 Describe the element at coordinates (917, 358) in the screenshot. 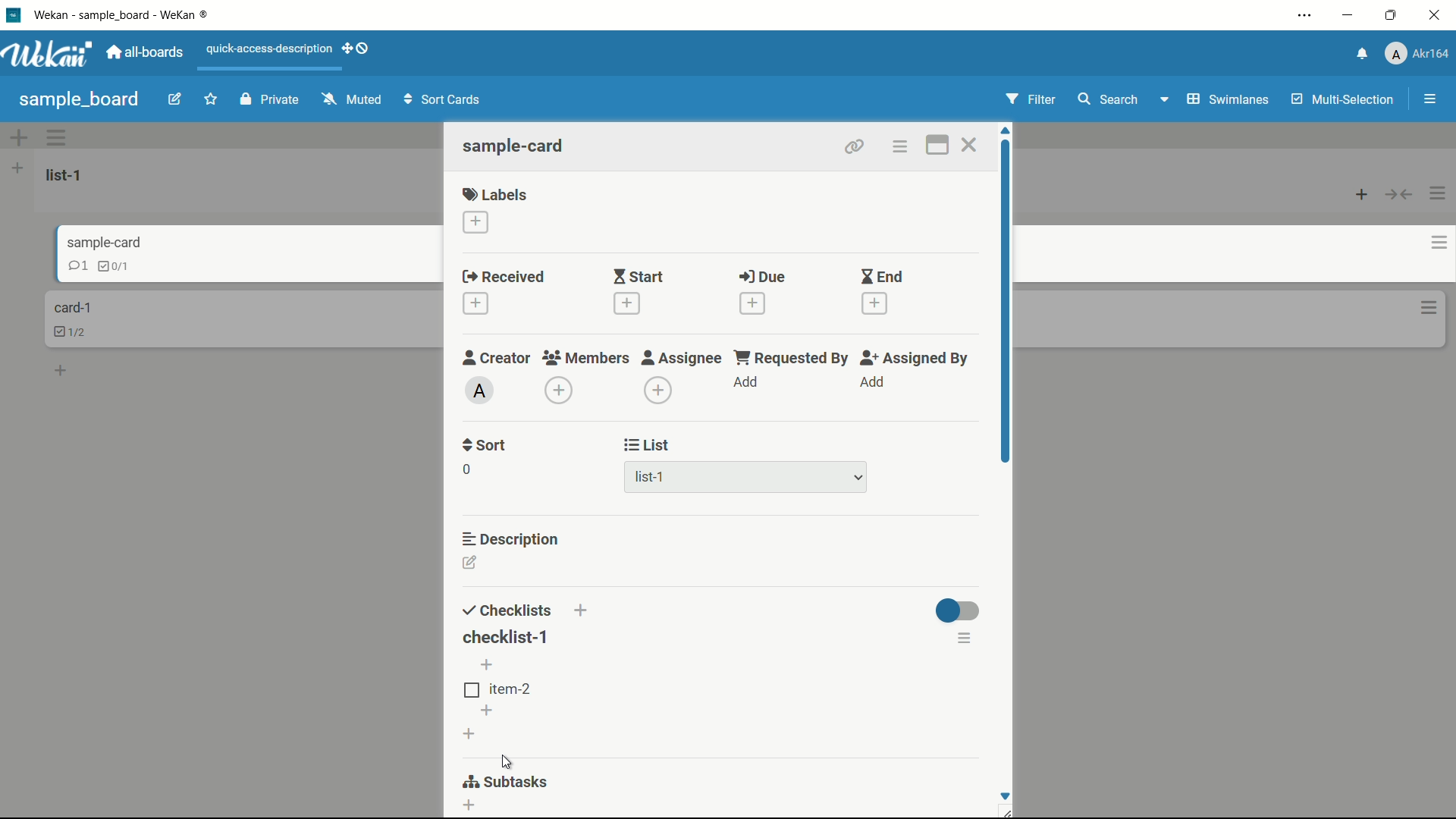

I see `assigned by` at that location.